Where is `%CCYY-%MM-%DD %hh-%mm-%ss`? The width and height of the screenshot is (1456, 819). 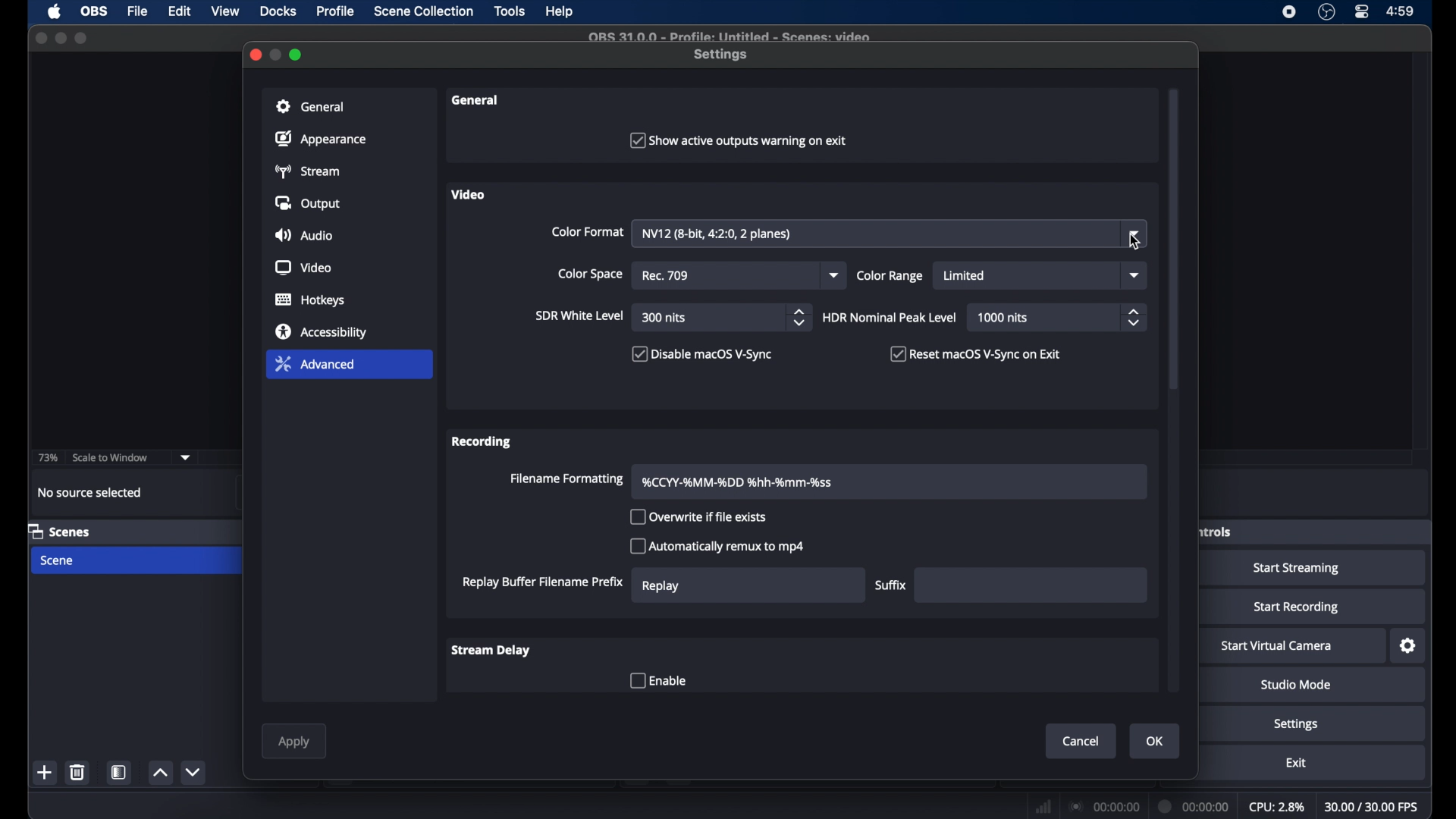 %CCYY-%MM-%DD %hh-%mm-%ss is located at coordinates (743, 481).